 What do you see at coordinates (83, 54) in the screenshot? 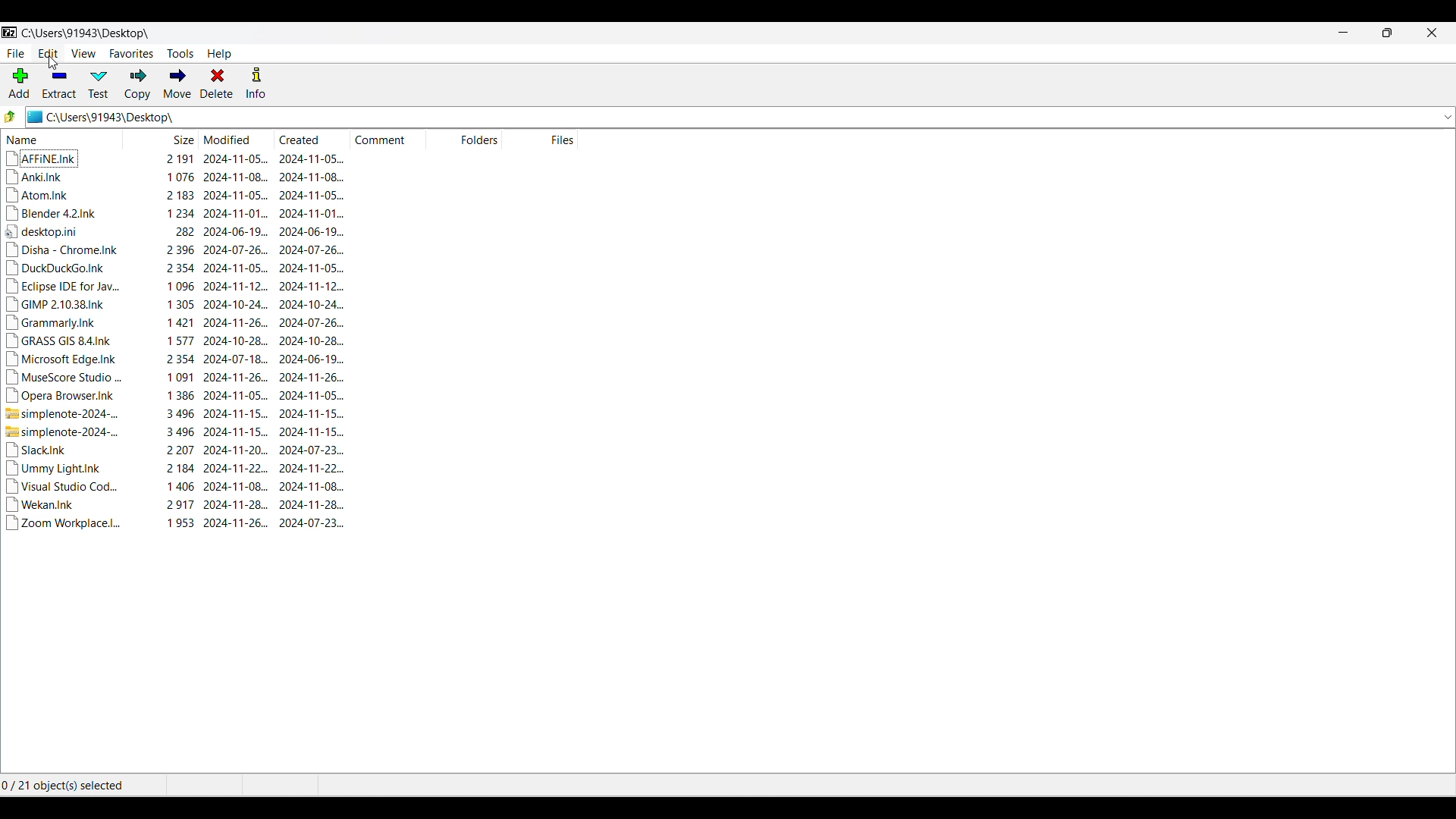
I see `View menu` at bounding box center [83, 54].